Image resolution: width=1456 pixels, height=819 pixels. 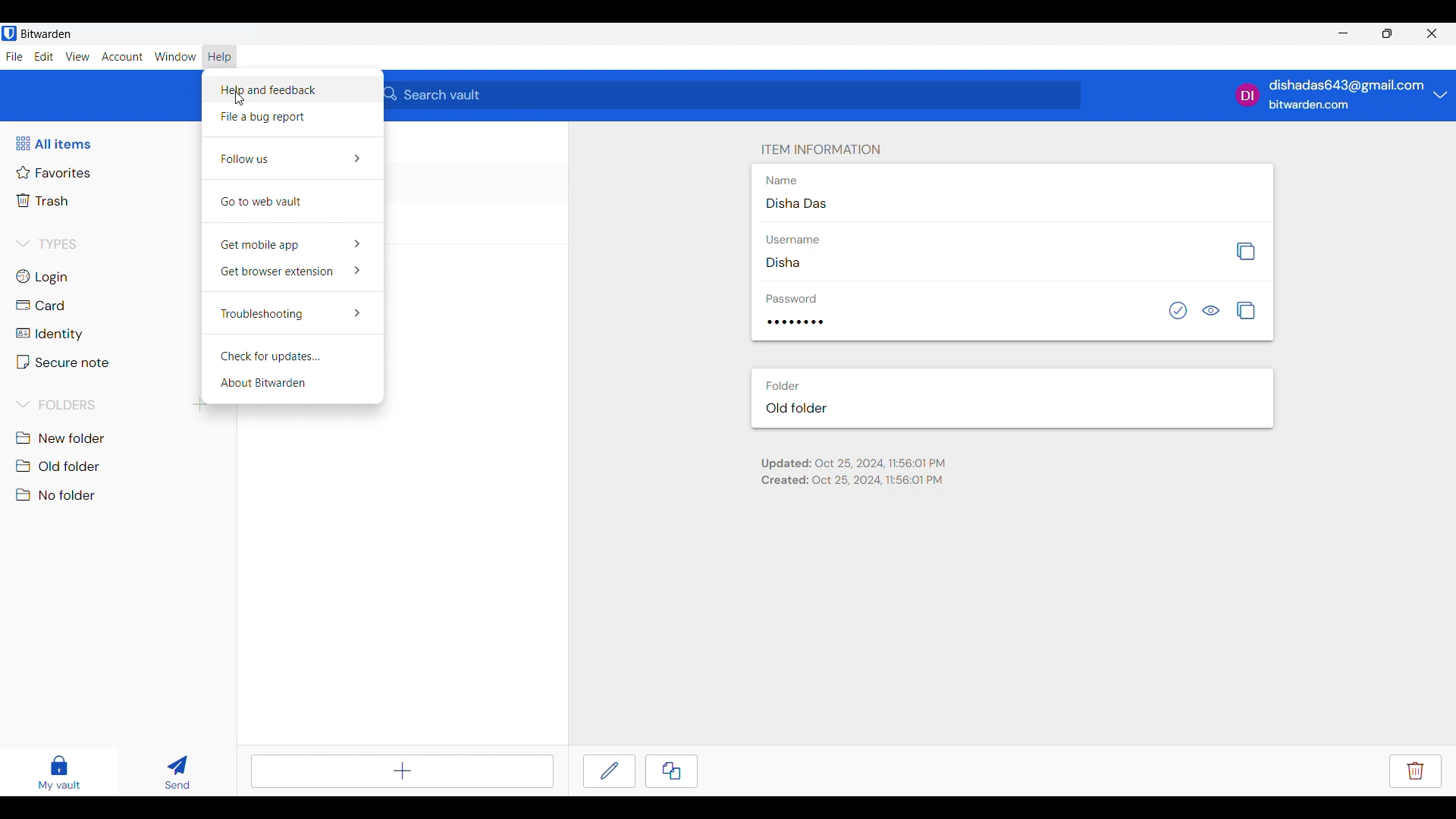 What do you see at coordinates (240, 98) in the screenshot?
I see `Cursor` at bounding box center [240, 98].